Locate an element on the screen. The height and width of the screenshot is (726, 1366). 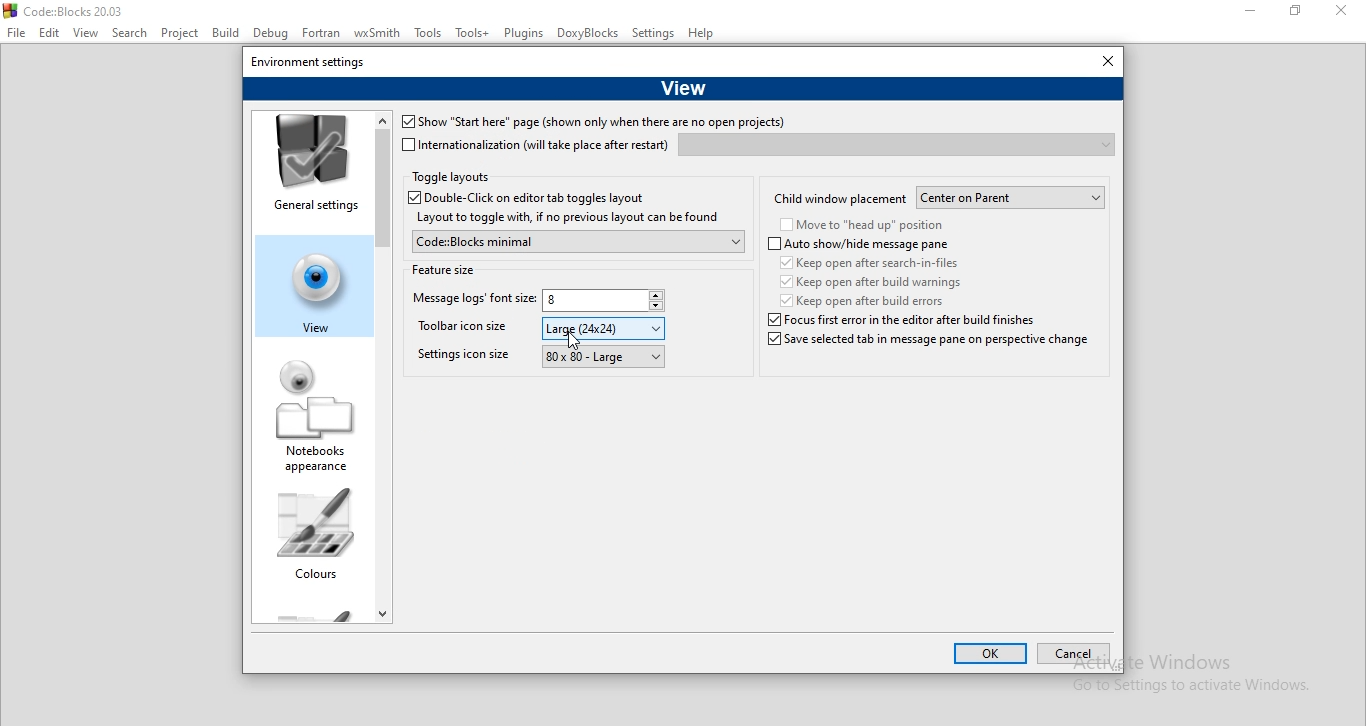
Save selected tab in message pane on perspective change is located at coordinates (926, 346).